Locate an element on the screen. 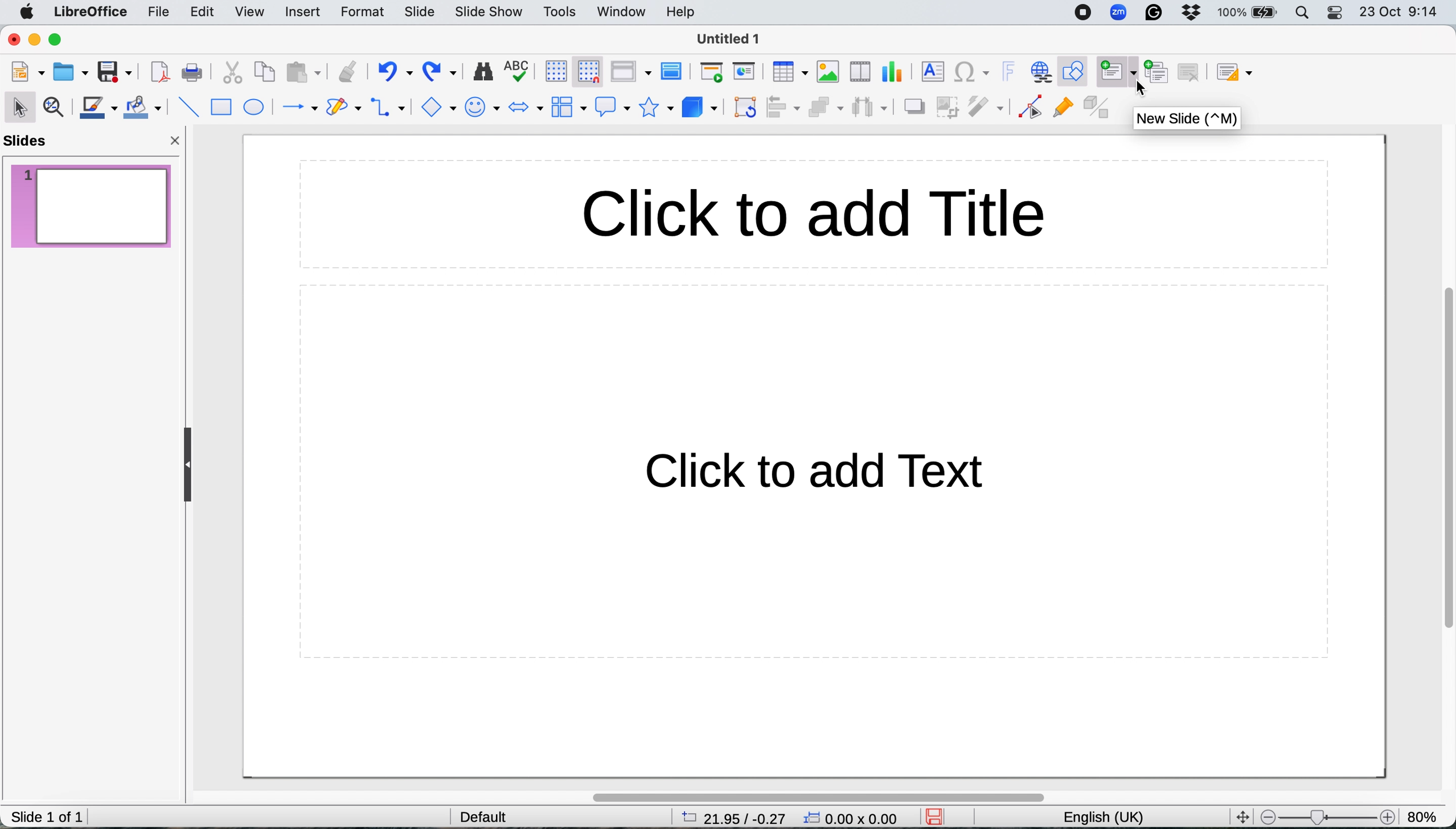  start from current slide is located at coordinates (743, 73).